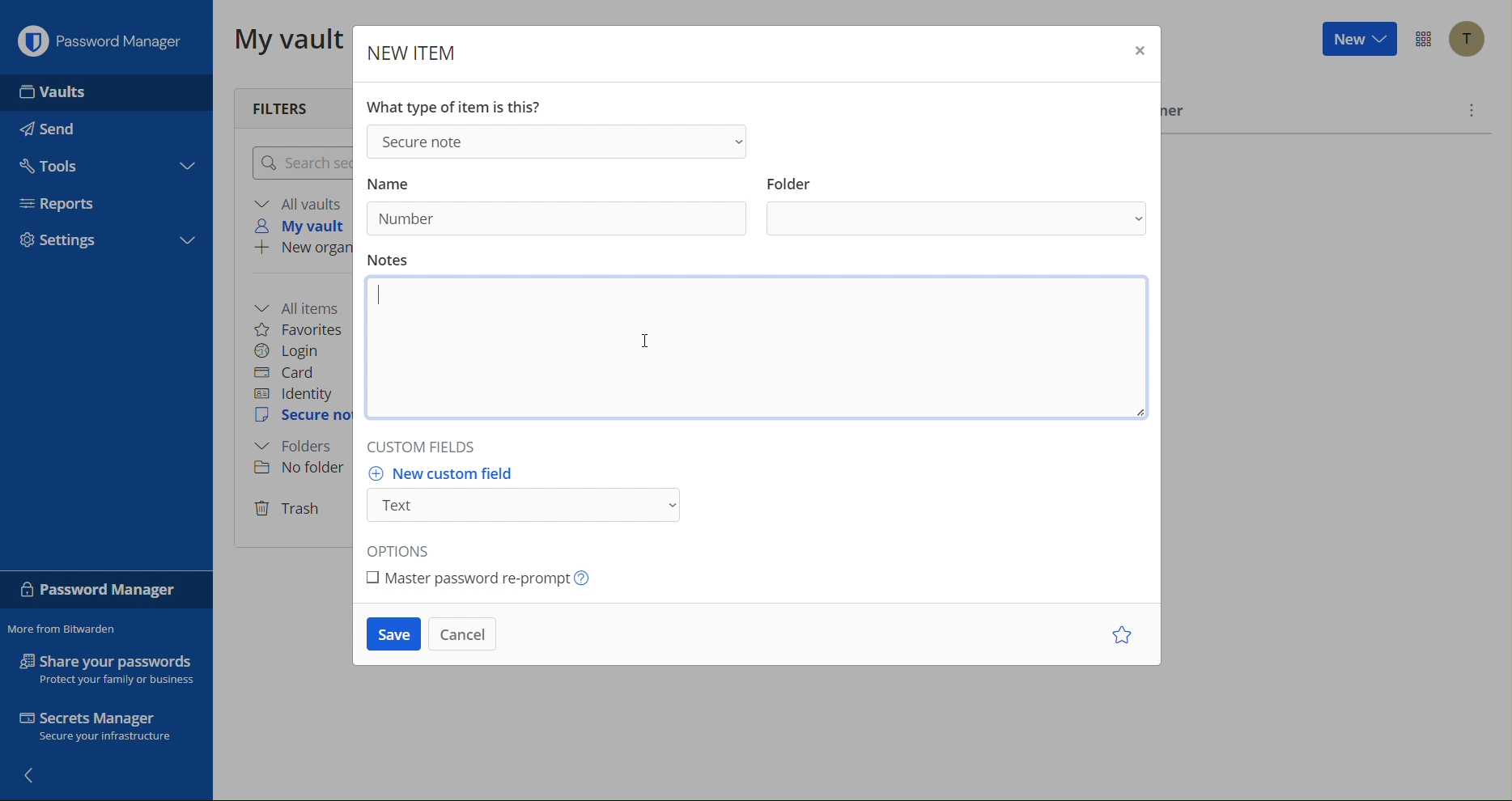 This screenshot has height=801, width=1512. I want to click on Name, so click(401, 180).